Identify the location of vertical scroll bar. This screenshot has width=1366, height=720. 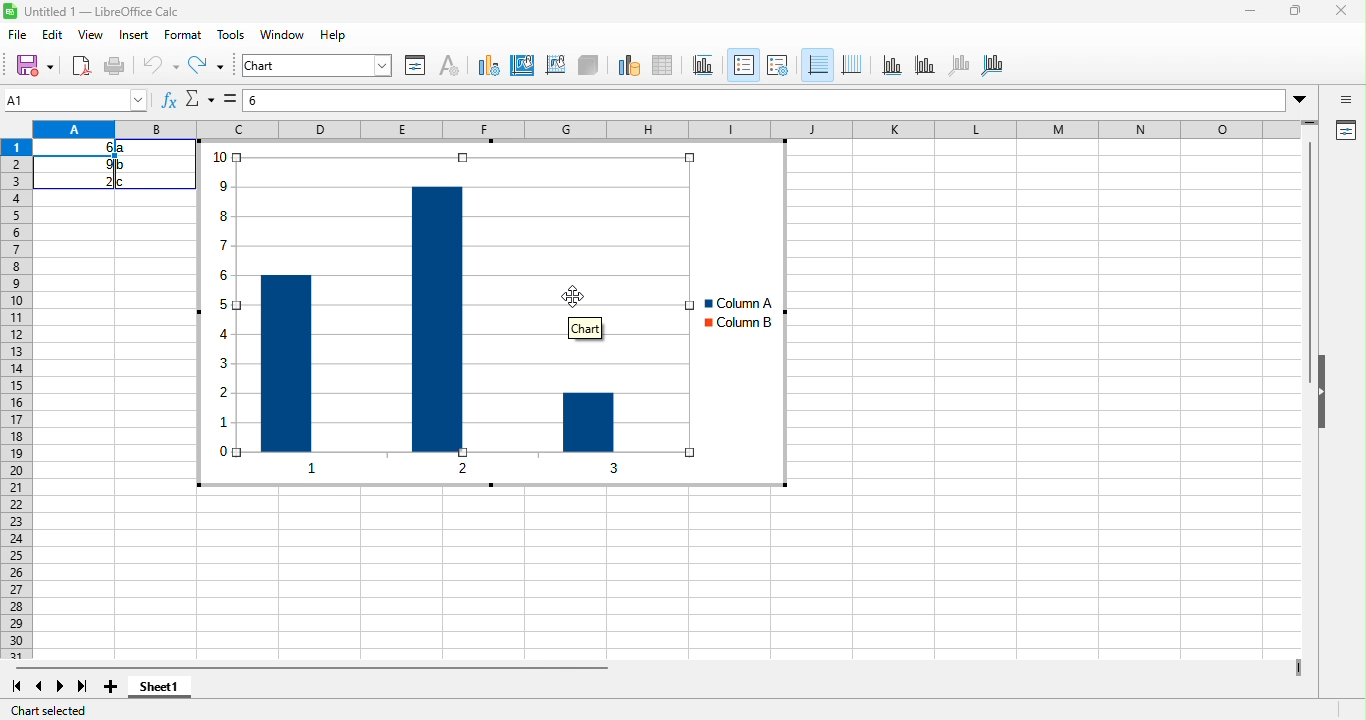
(1312, 267).